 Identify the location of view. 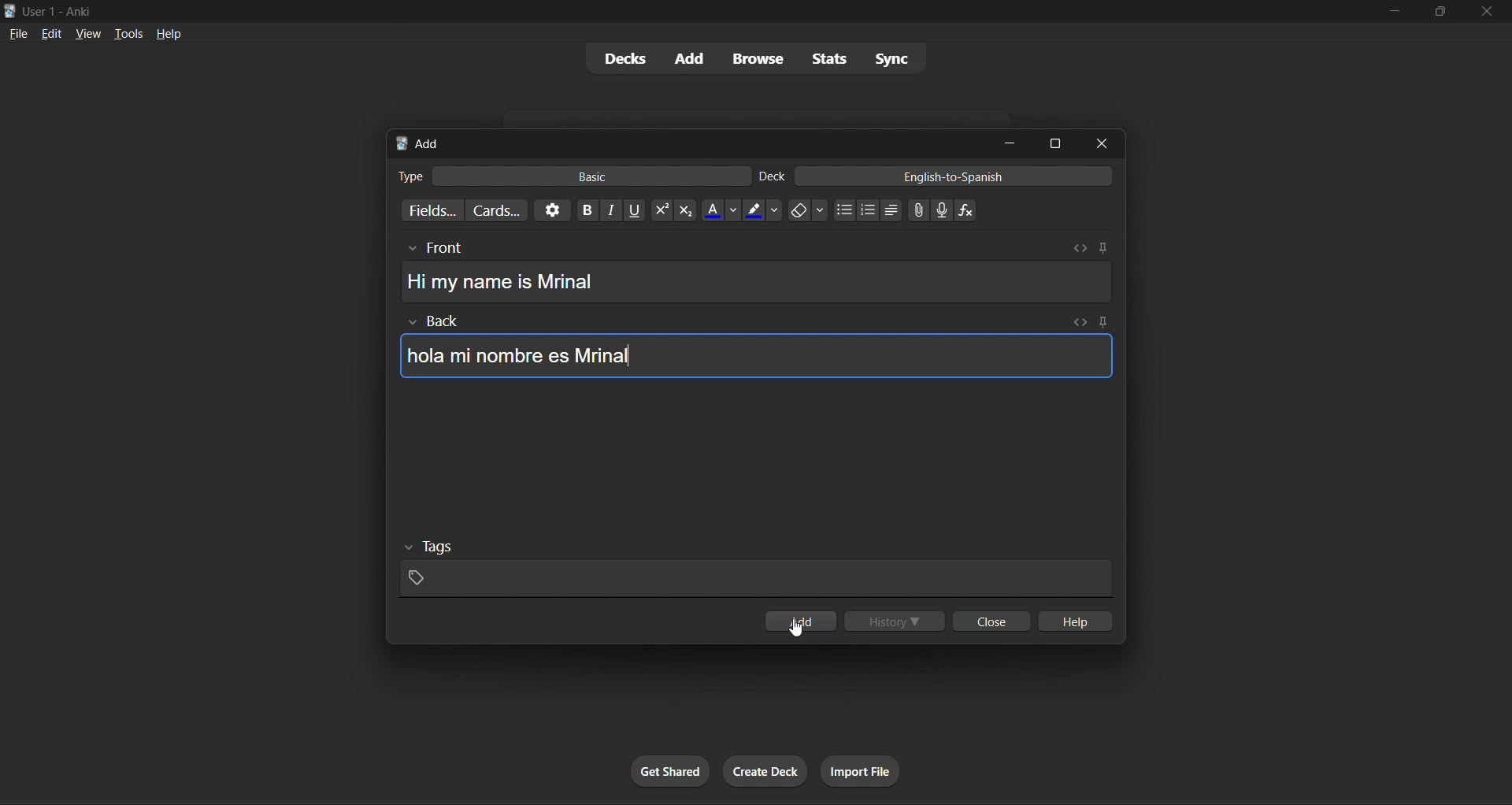
(82, 32).